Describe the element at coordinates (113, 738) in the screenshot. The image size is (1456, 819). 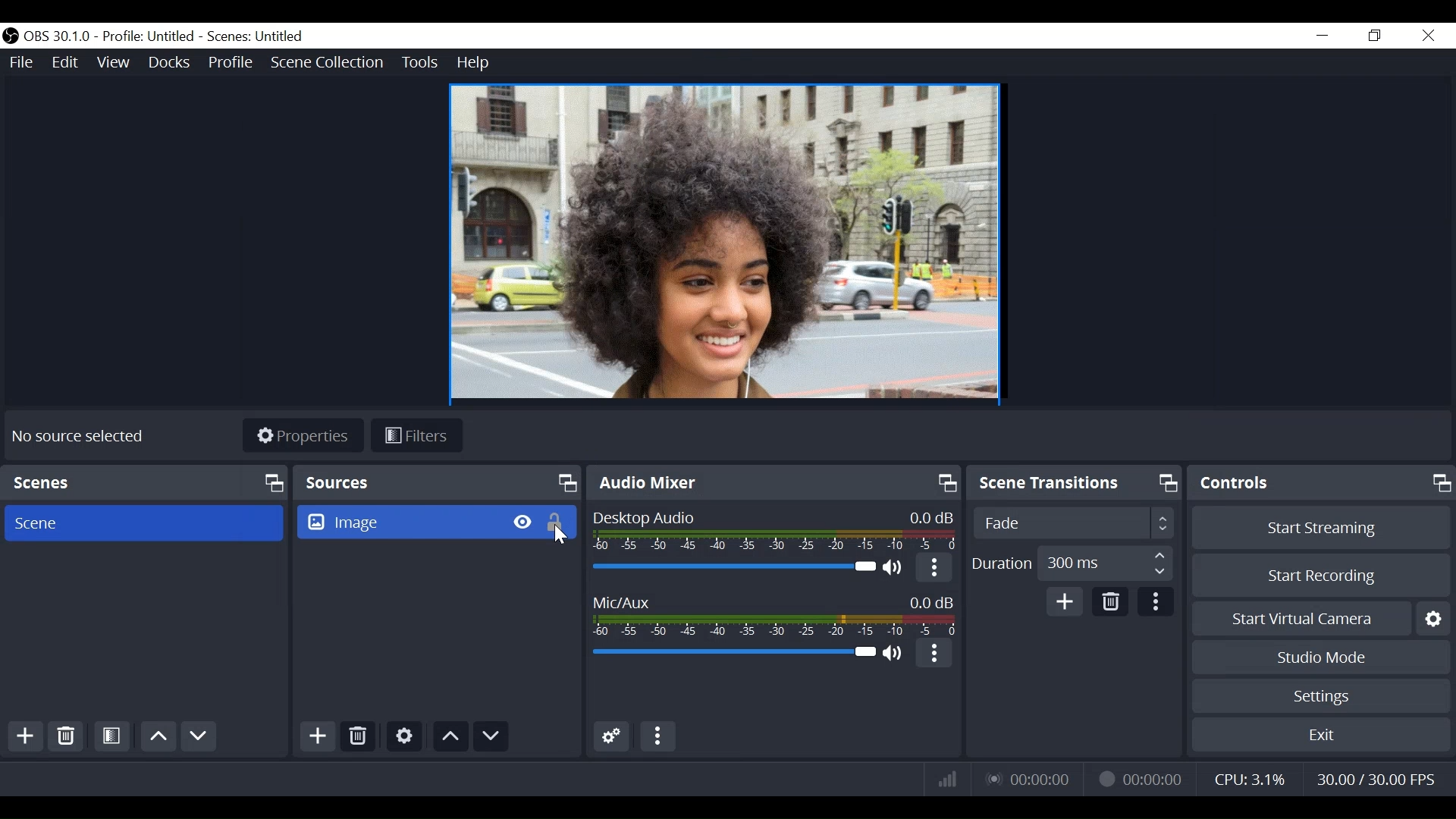
I see `Open Scene Filter` at that location.